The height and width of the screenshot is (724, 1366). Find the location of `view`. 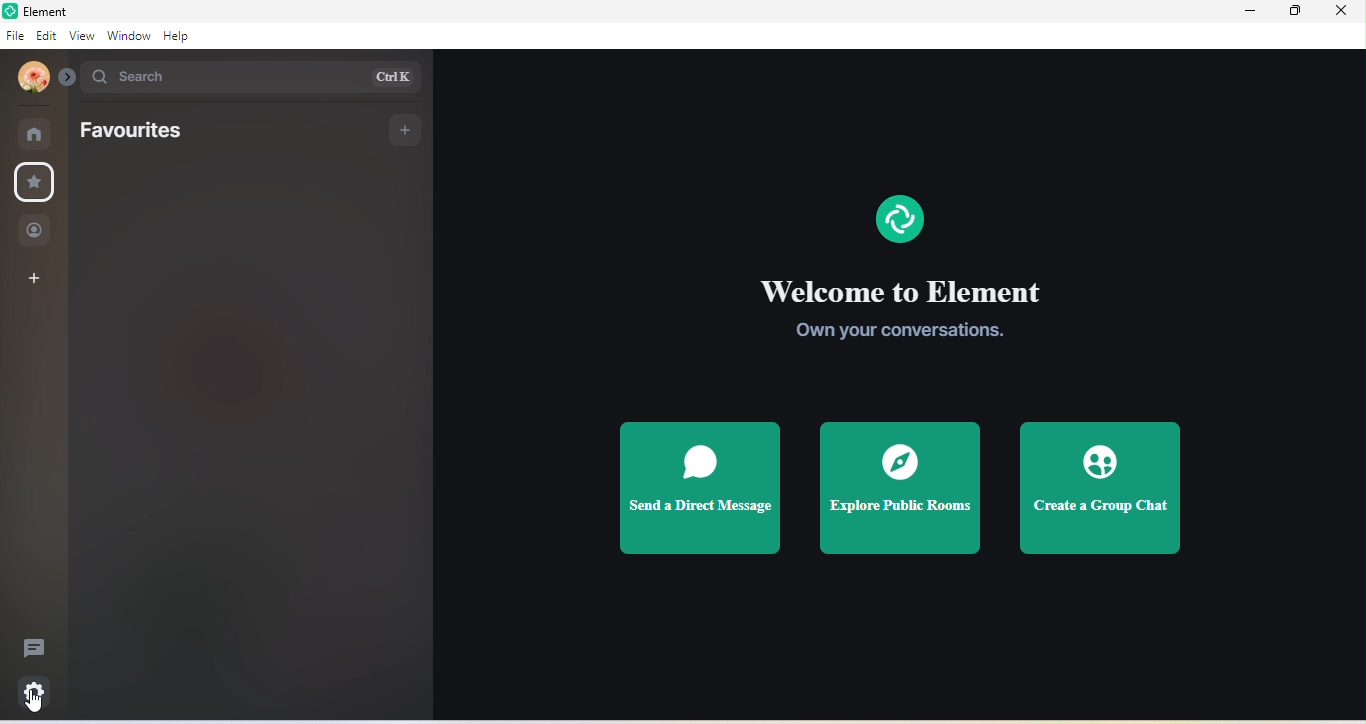

view is located at coordinates (79, 36).